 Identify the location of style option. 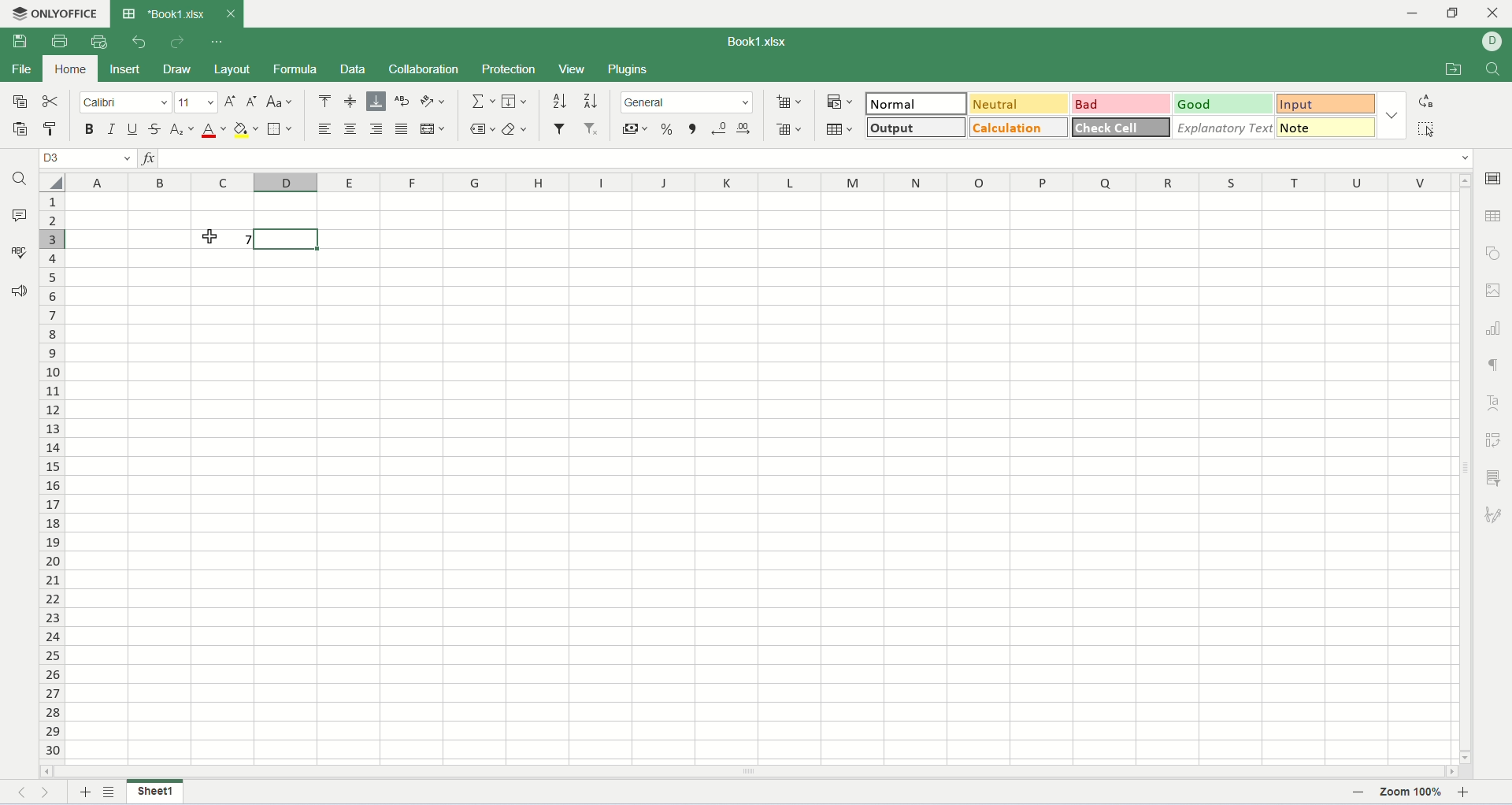
(1393, 116).